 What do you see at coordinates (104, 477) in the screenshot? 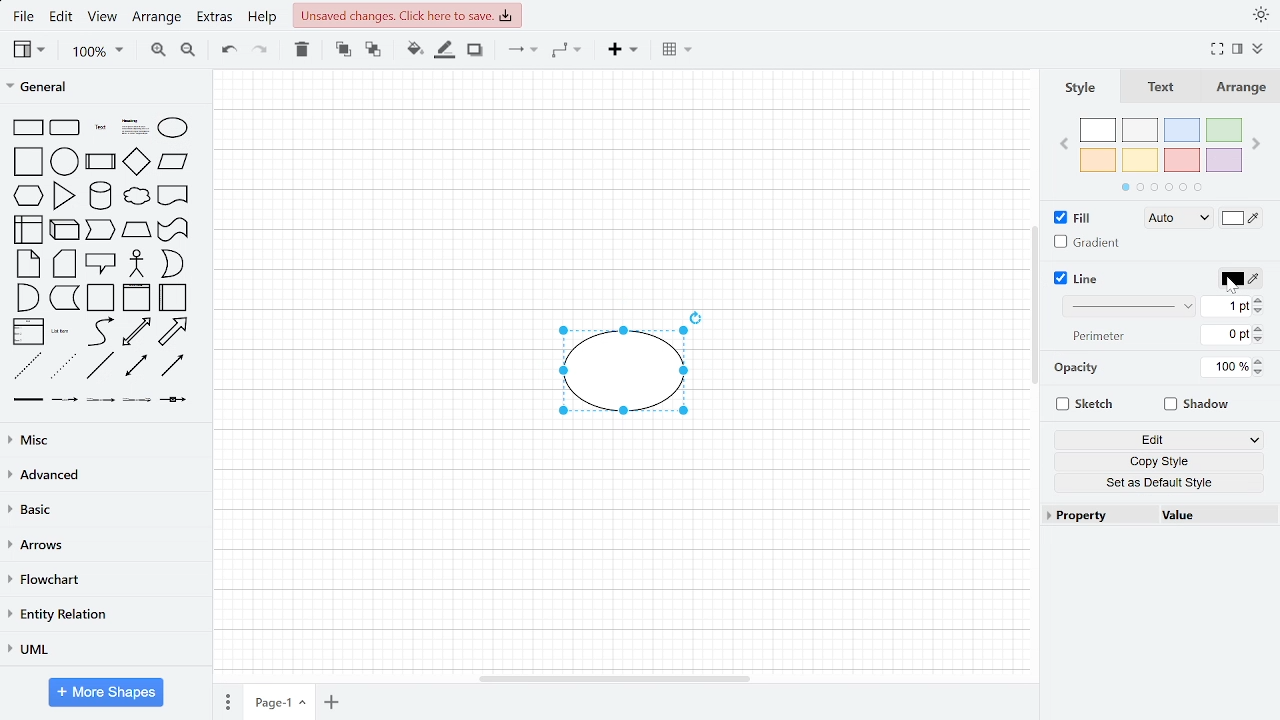
I see `Advanced` at bounding box center [104, 477].